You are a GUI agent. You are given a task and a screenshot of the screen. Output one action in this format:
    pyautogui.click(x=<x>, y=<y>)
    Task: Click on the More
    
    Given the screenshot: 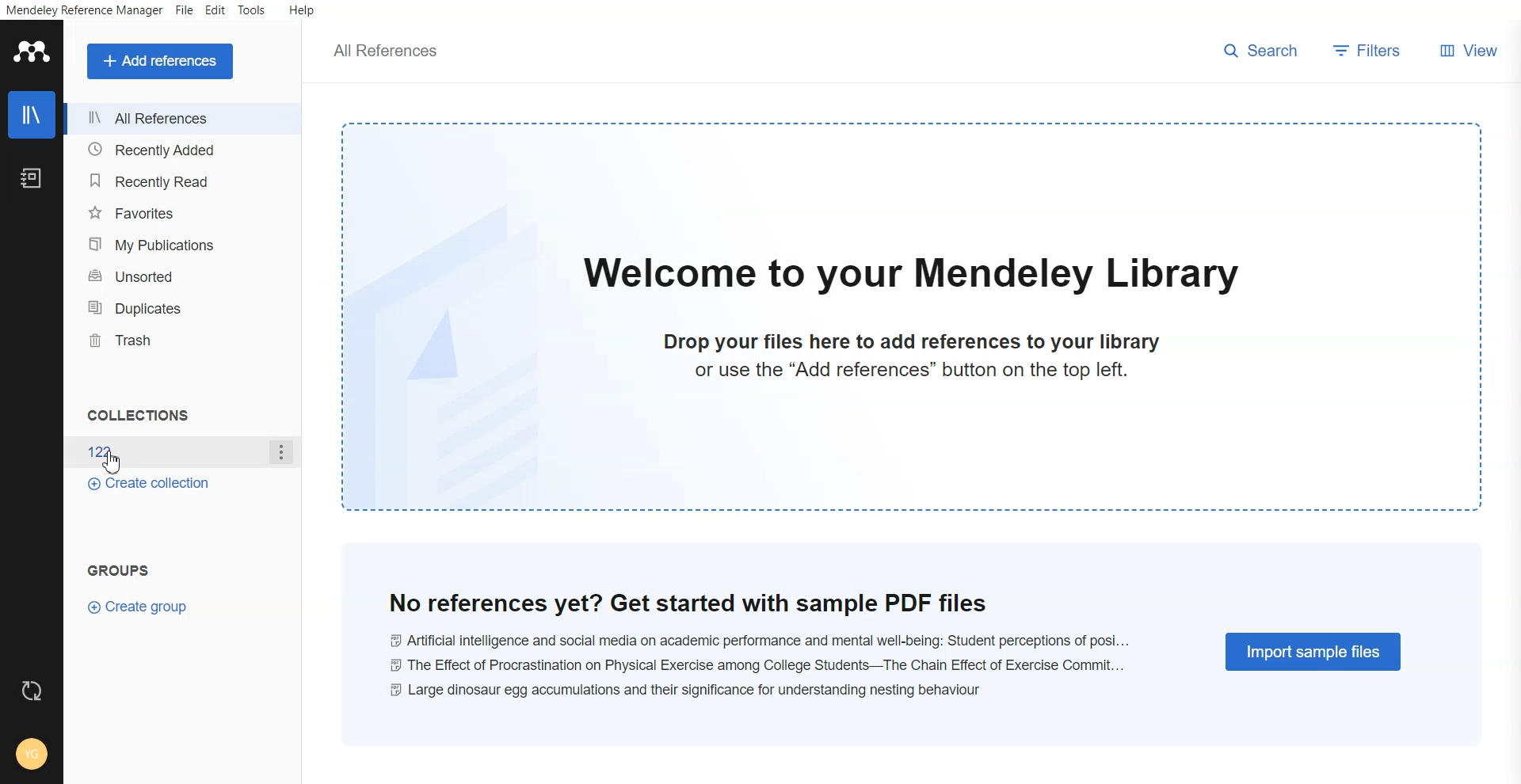 What is the action you would take?
    pyautogui.click(x=280, y=451)
    